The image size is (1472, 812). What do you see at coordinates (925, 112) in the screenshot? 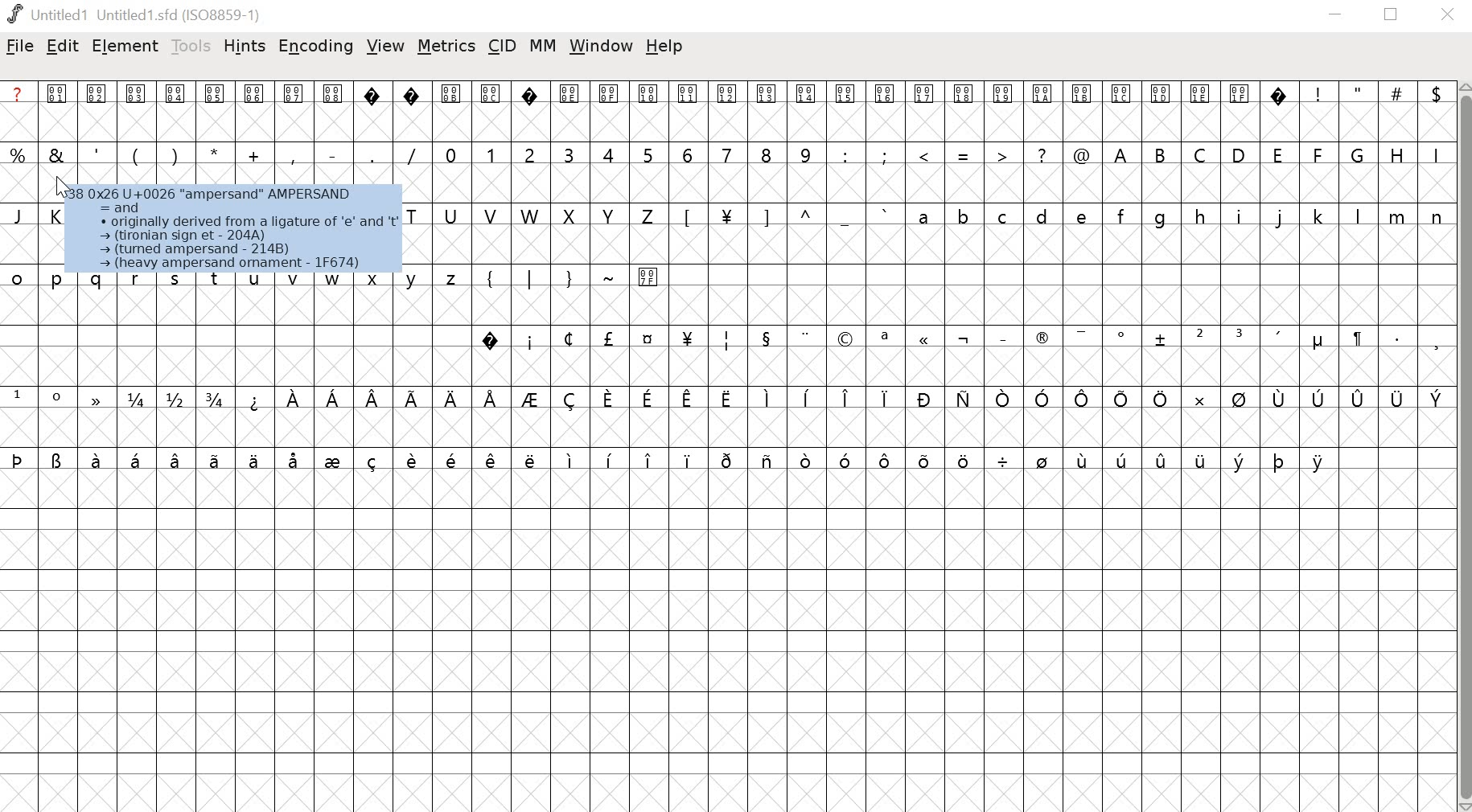
I see `0017` at bounding box center [925, 112].